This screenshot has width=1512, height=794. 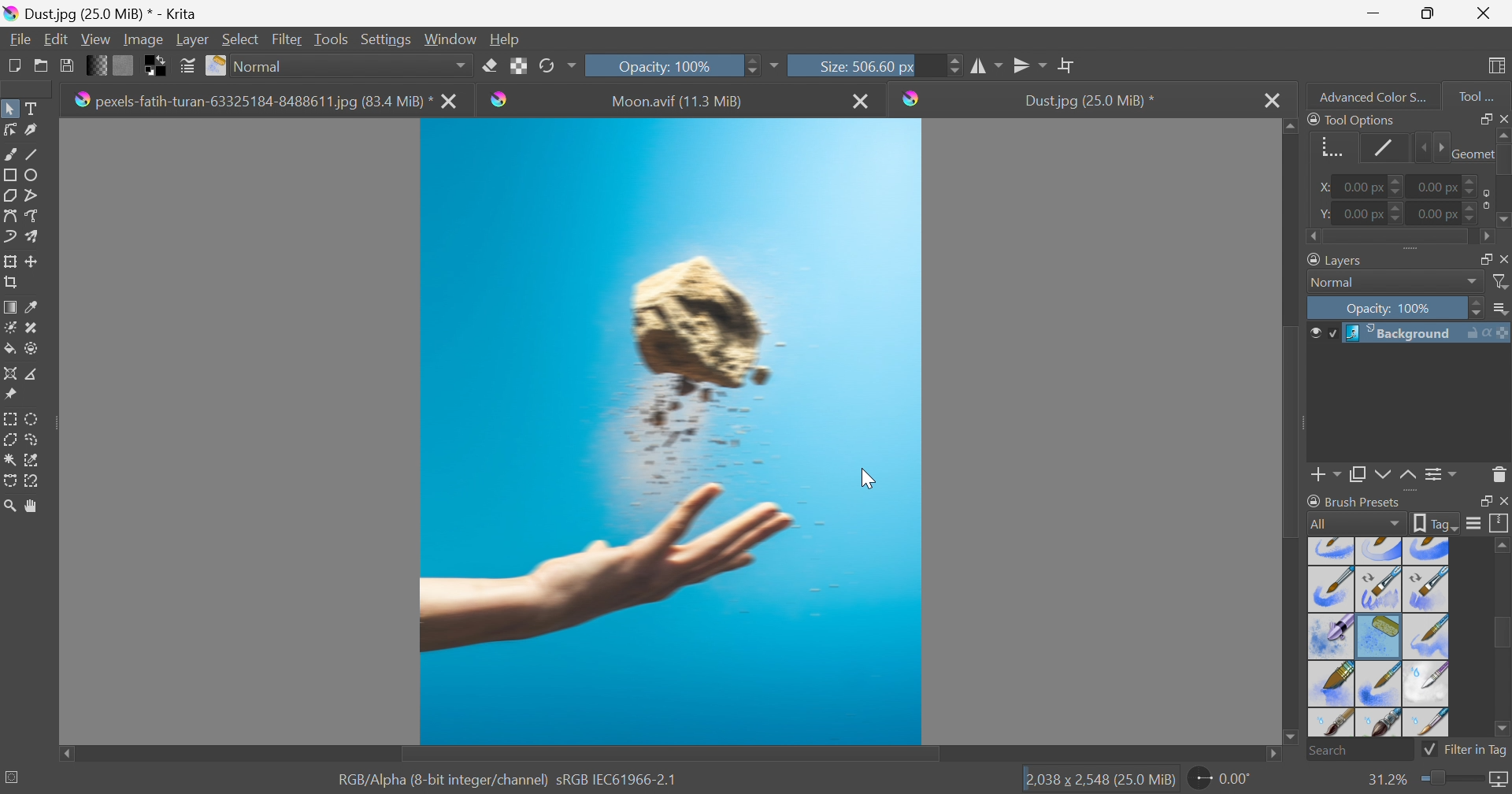 I want to click on View or change the layer properties, so click(x=1437, y=475).